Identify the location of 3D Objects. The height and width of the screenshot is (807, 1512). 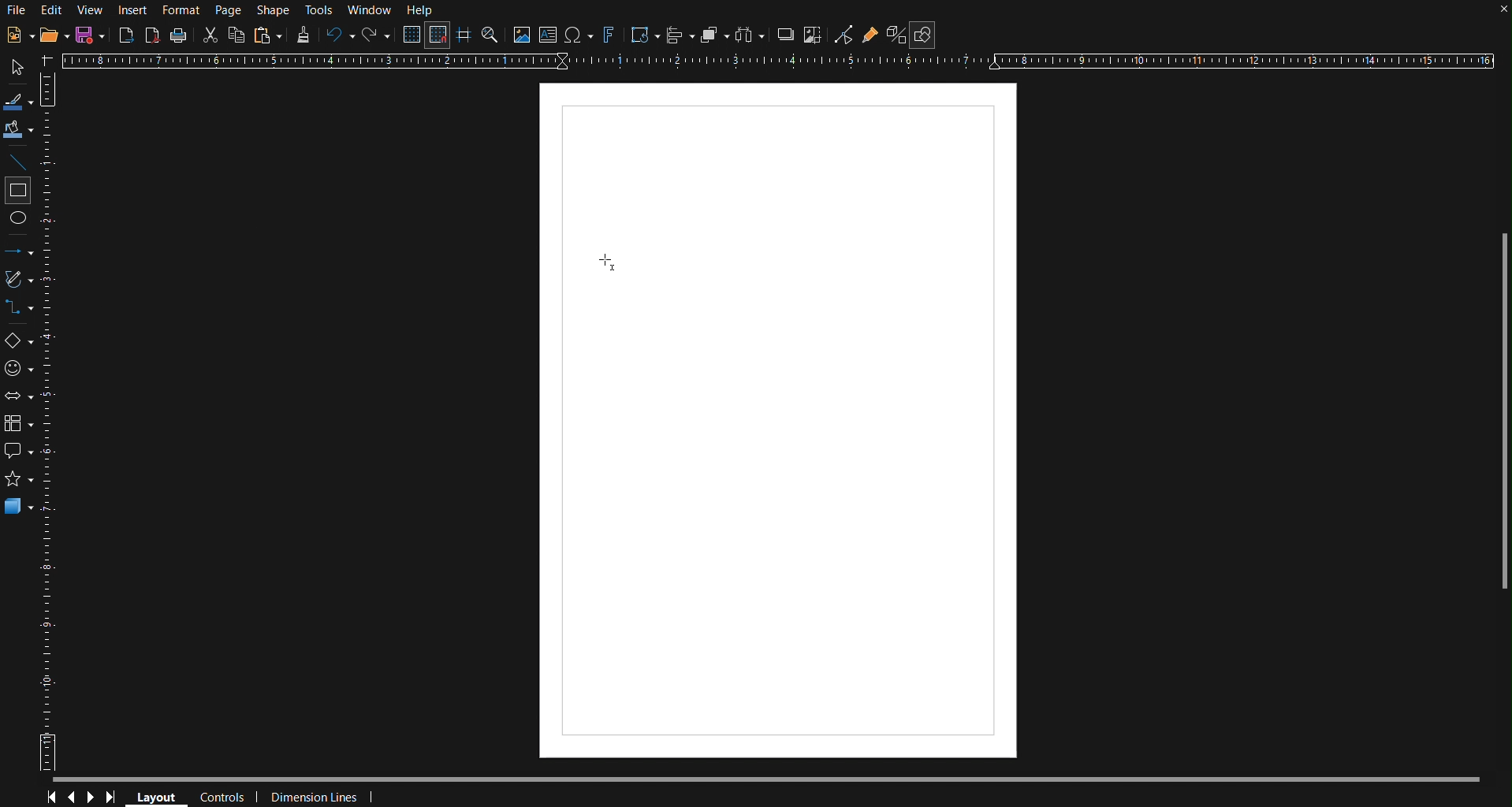
(19, 506).